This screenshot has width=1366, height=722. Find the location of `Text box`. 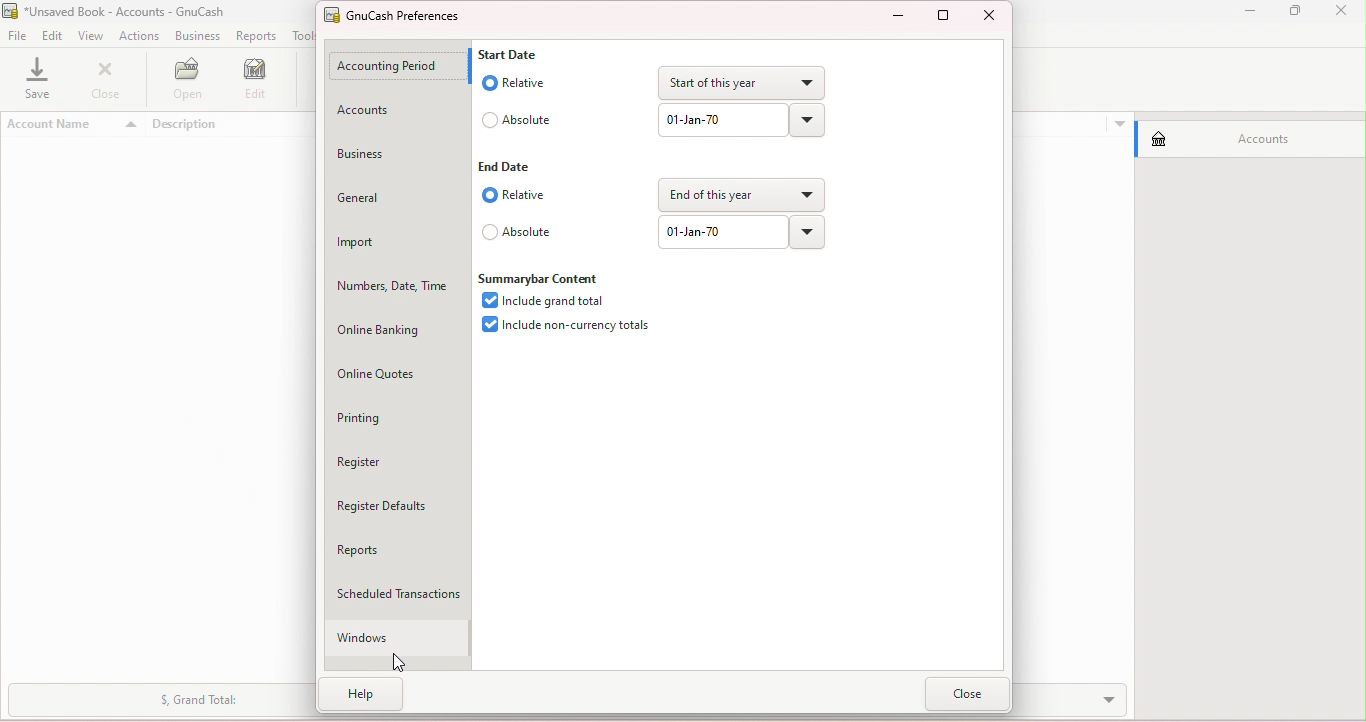

Text box is located at coordinates (721, 231).